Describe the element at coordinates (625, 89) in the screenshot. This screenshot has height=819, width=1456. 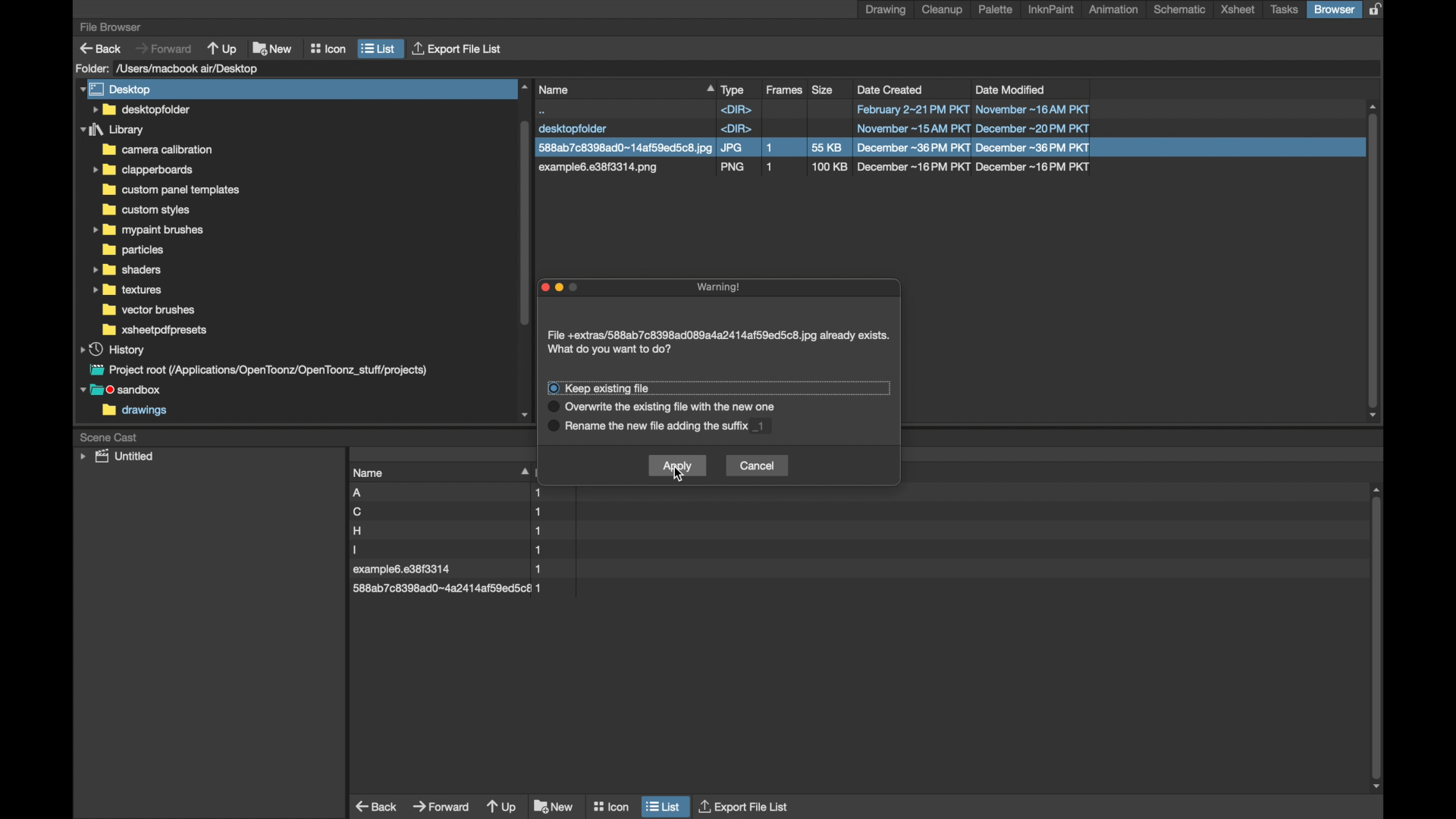
I see `name` at that location.